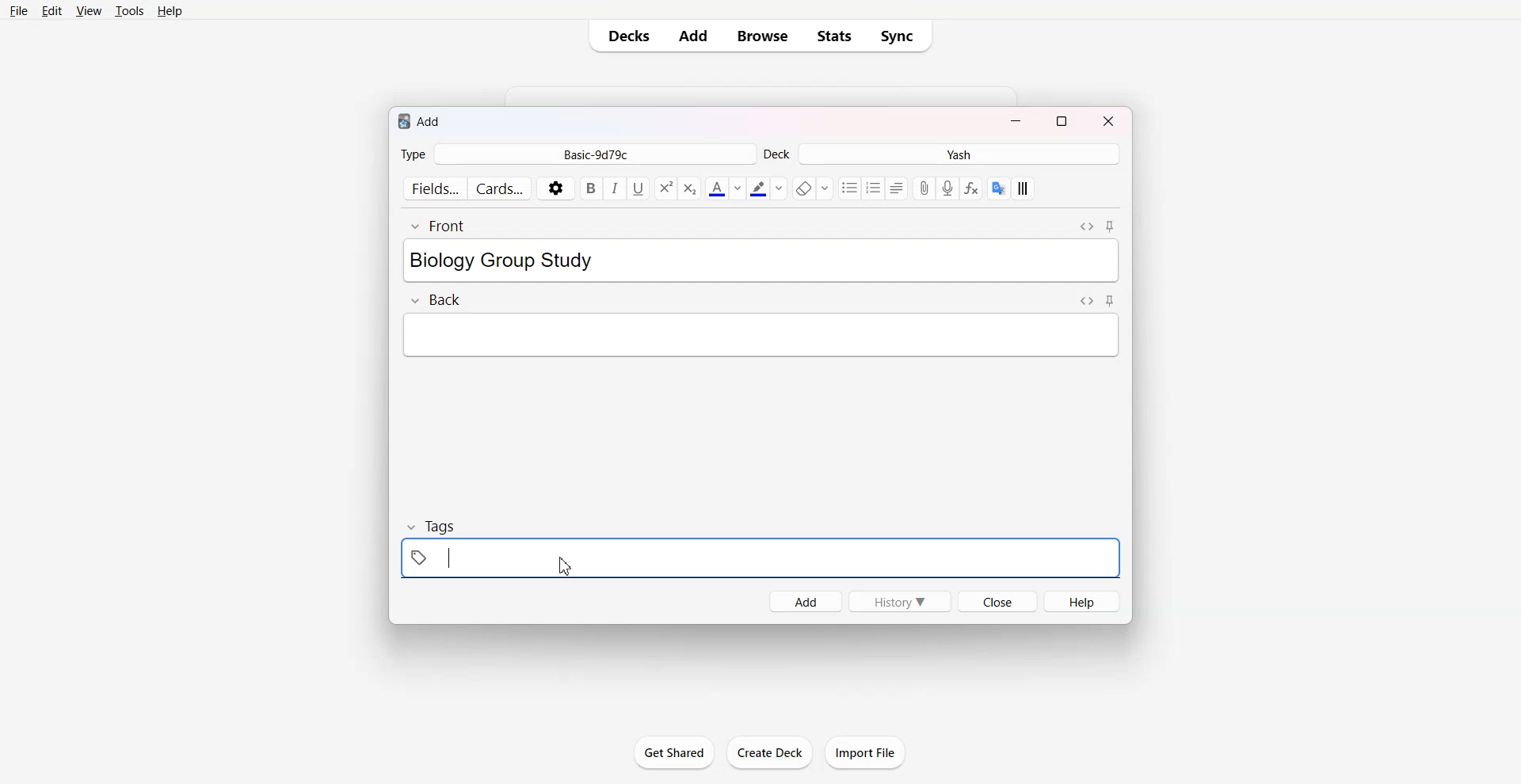  I want to click on Decks, so click(626, 36).